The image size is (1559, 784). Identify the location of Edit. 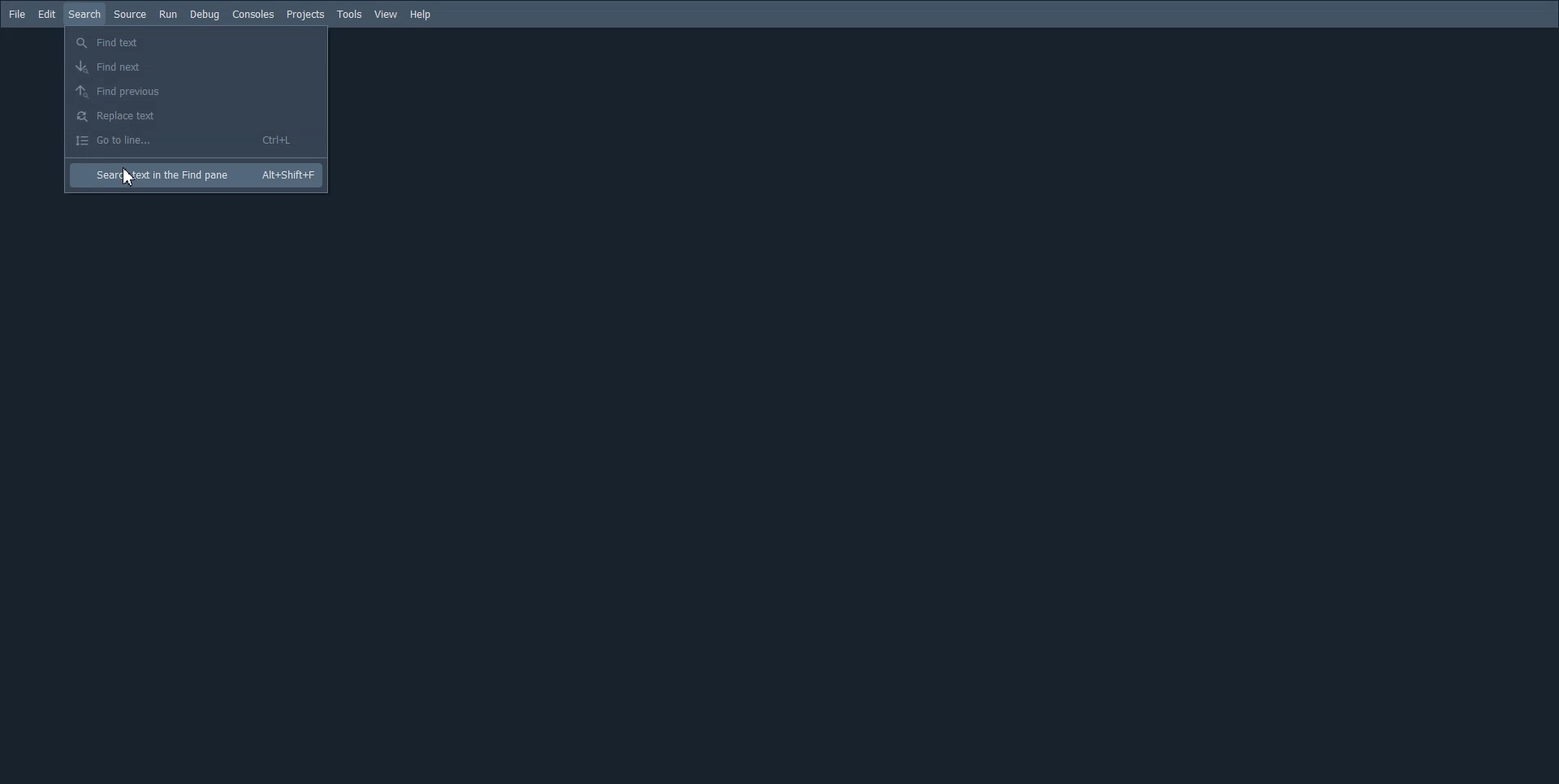
(46, 14).